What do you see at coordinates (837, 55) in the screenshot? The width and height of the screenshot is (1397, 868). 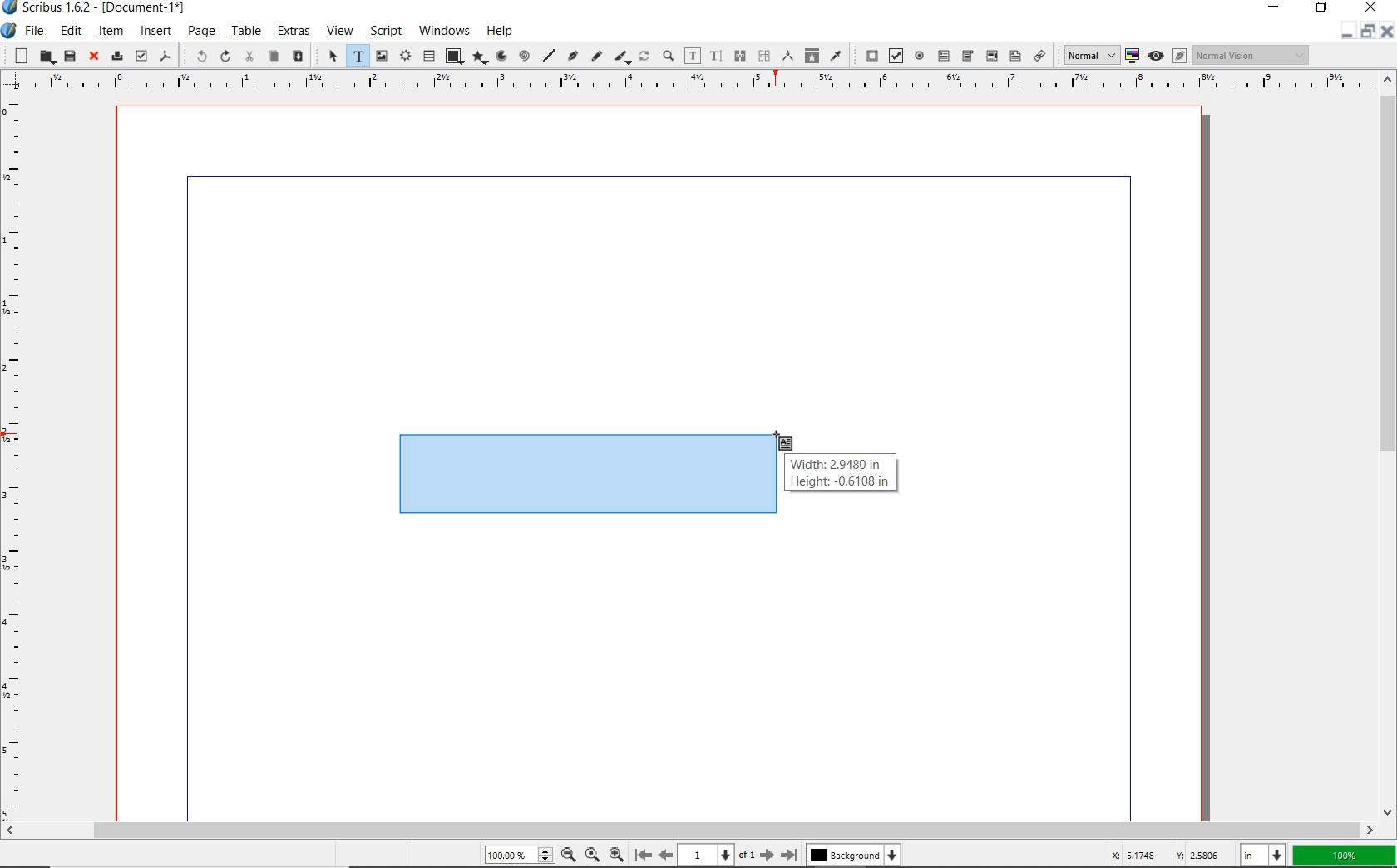 I see `eye dropper` at bounding box center [837, 55].